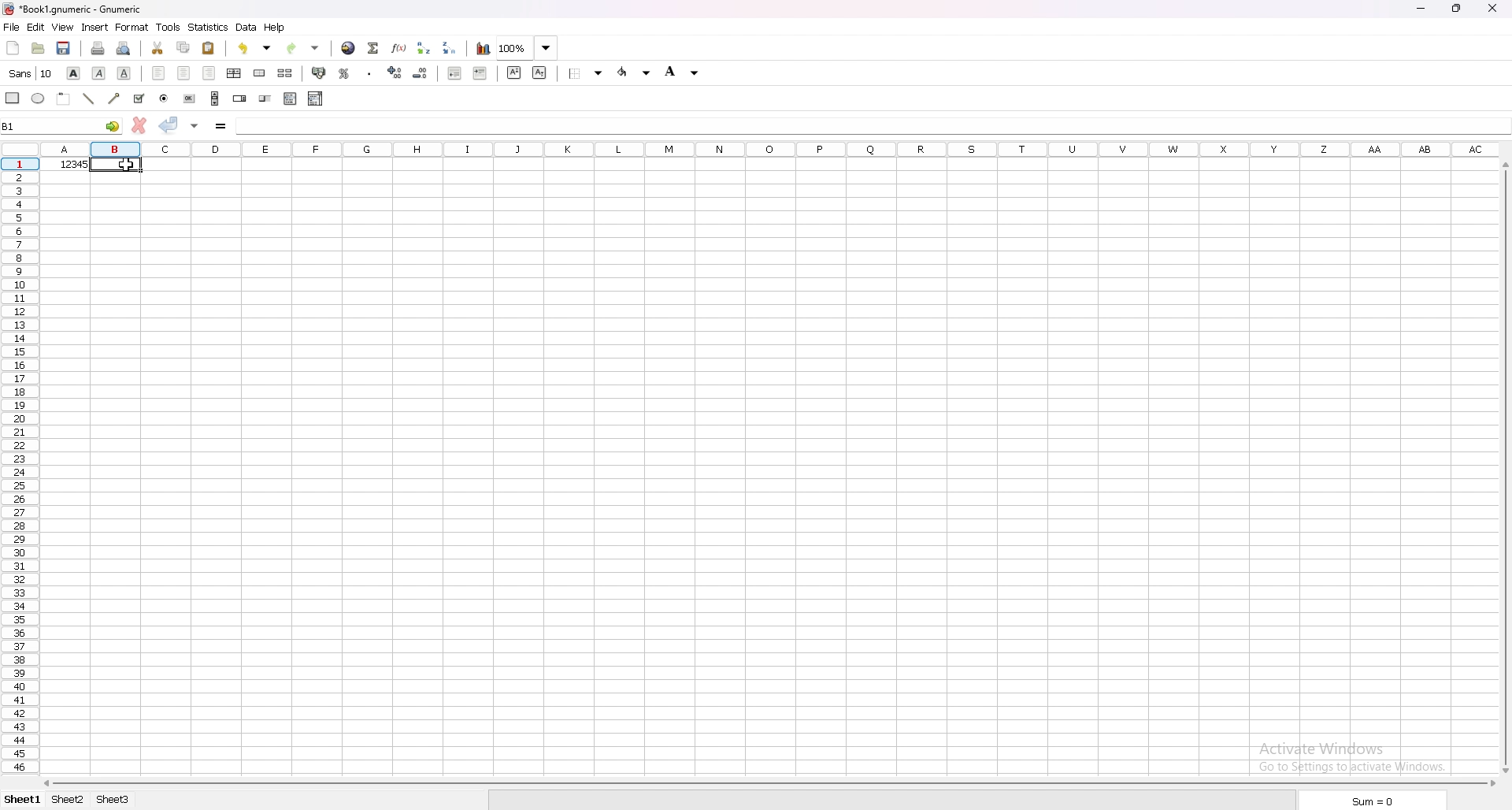 The height and width of the screenshot is (810, 1512). Describe the element at coordinates (370, 73) in the screenshot. I see `thousands separator` at that location.